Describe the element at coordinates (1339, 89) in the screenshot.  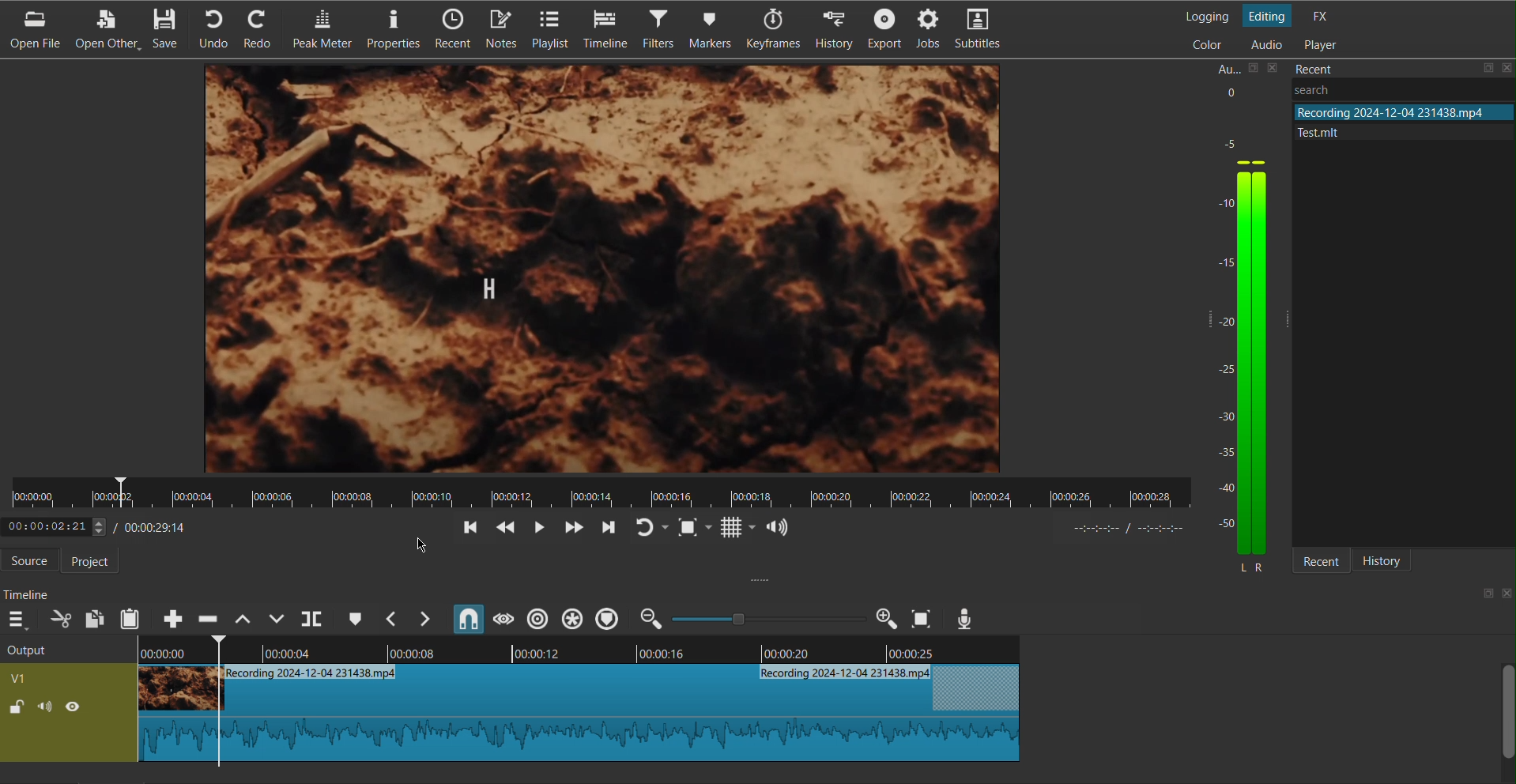
I see `` at that location.